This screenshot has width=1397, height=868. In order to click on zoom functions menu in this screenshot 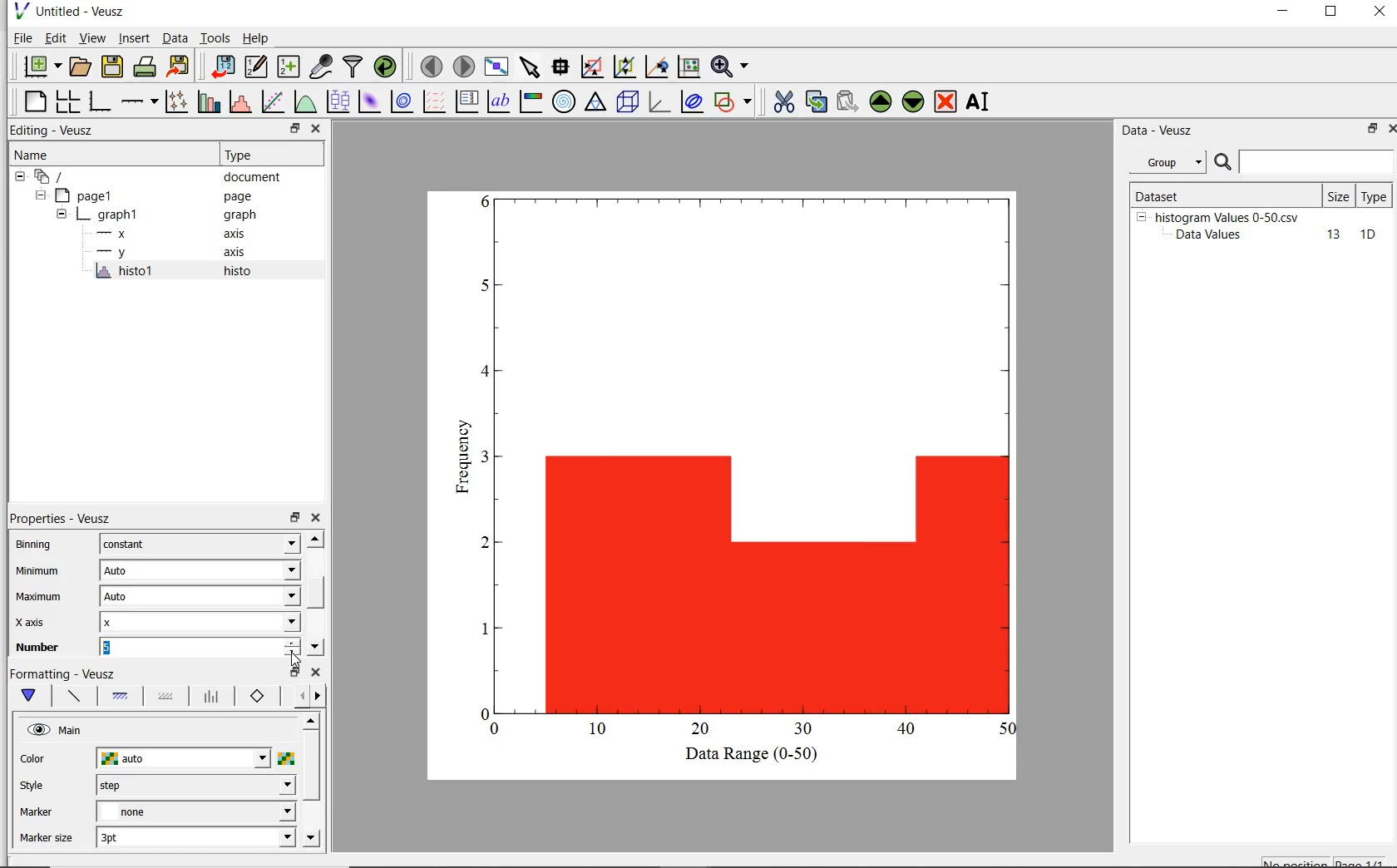, I will do `click(730, 67)`.